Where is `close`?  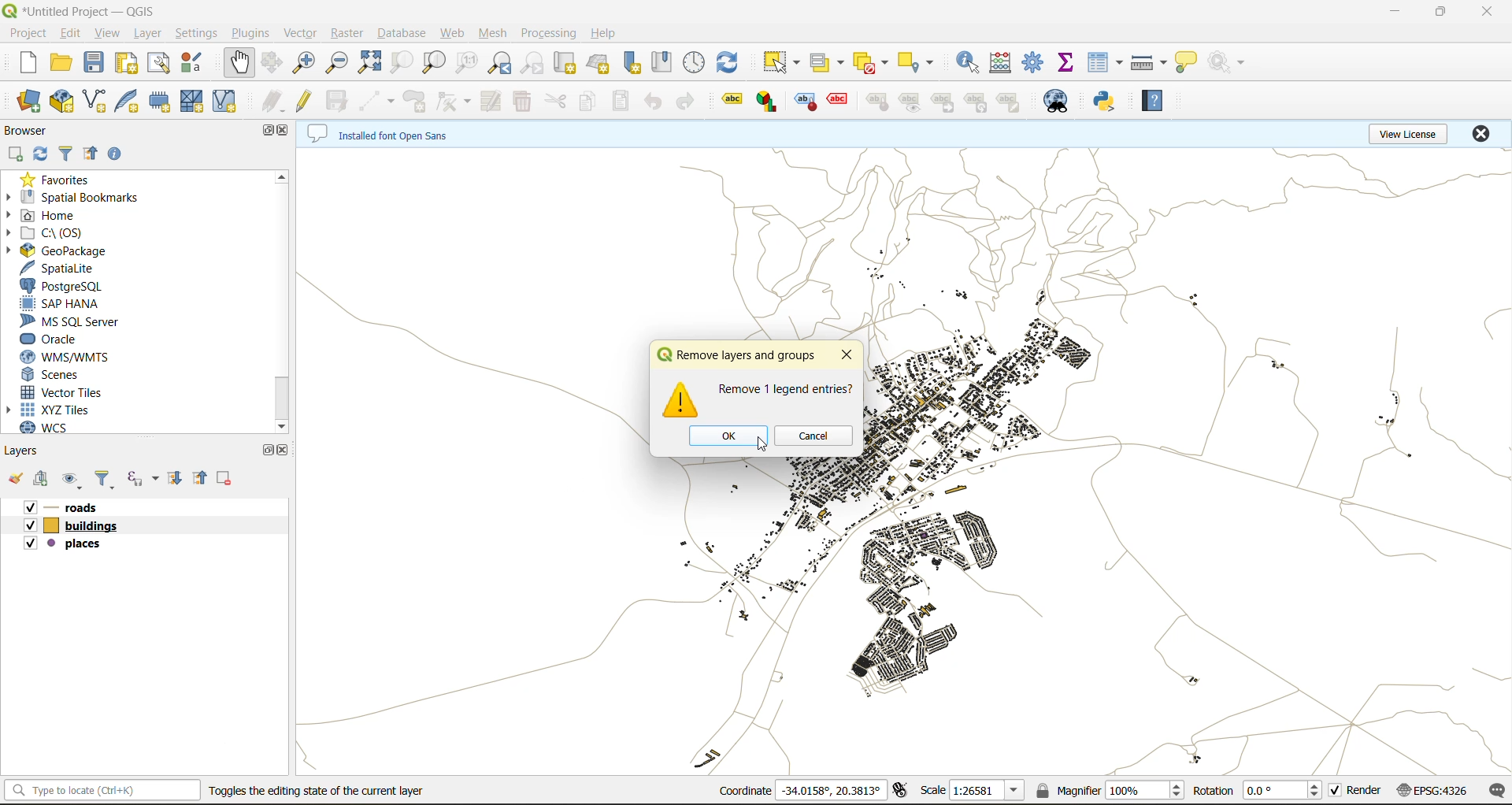 close is located at coordinates (1484, 12).